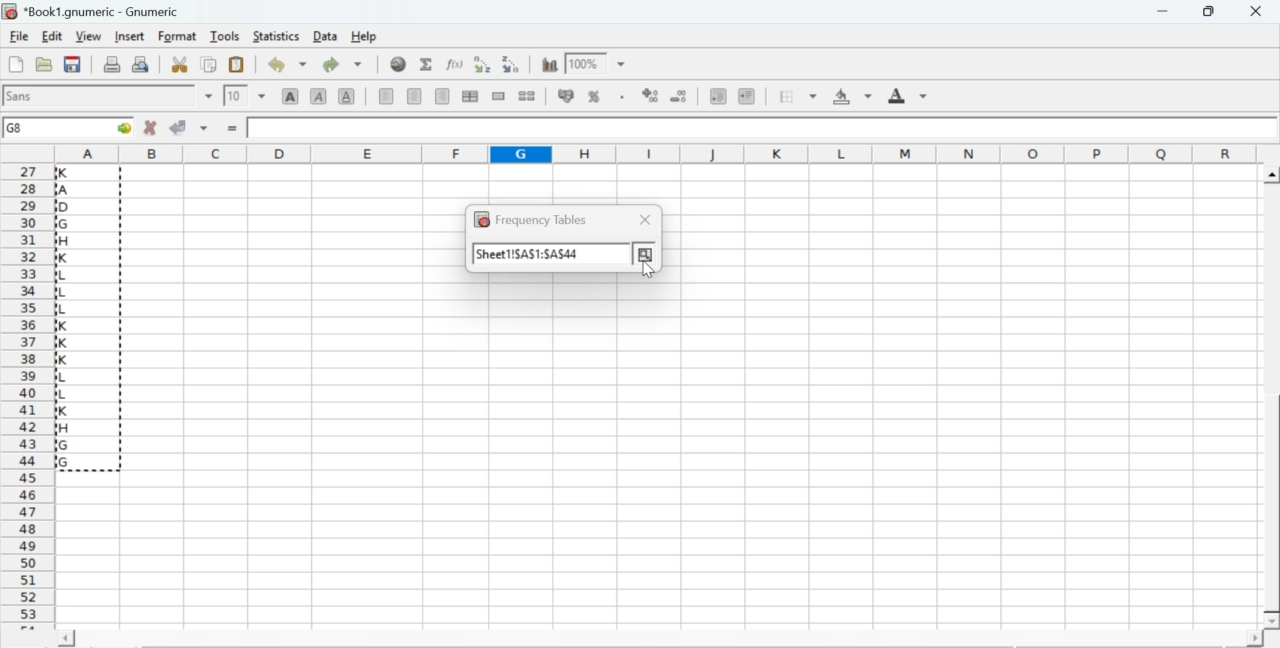 This screenshot has width=1280, height=648. Describe the element at coordinates (128, 35) in the screenshot. I see `insert` at that location.